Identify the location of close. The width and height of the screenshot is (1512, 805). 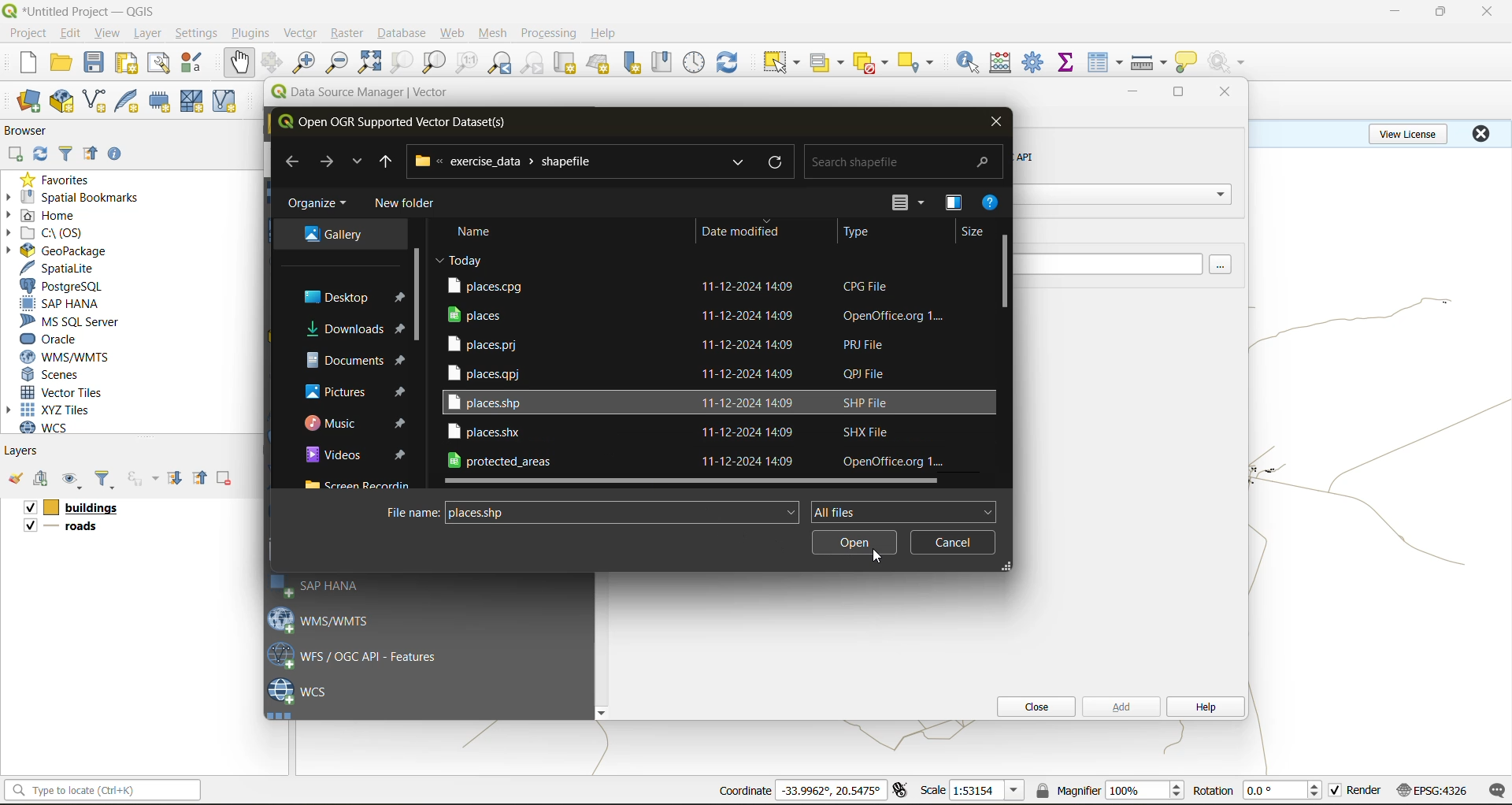
(1480, 133).